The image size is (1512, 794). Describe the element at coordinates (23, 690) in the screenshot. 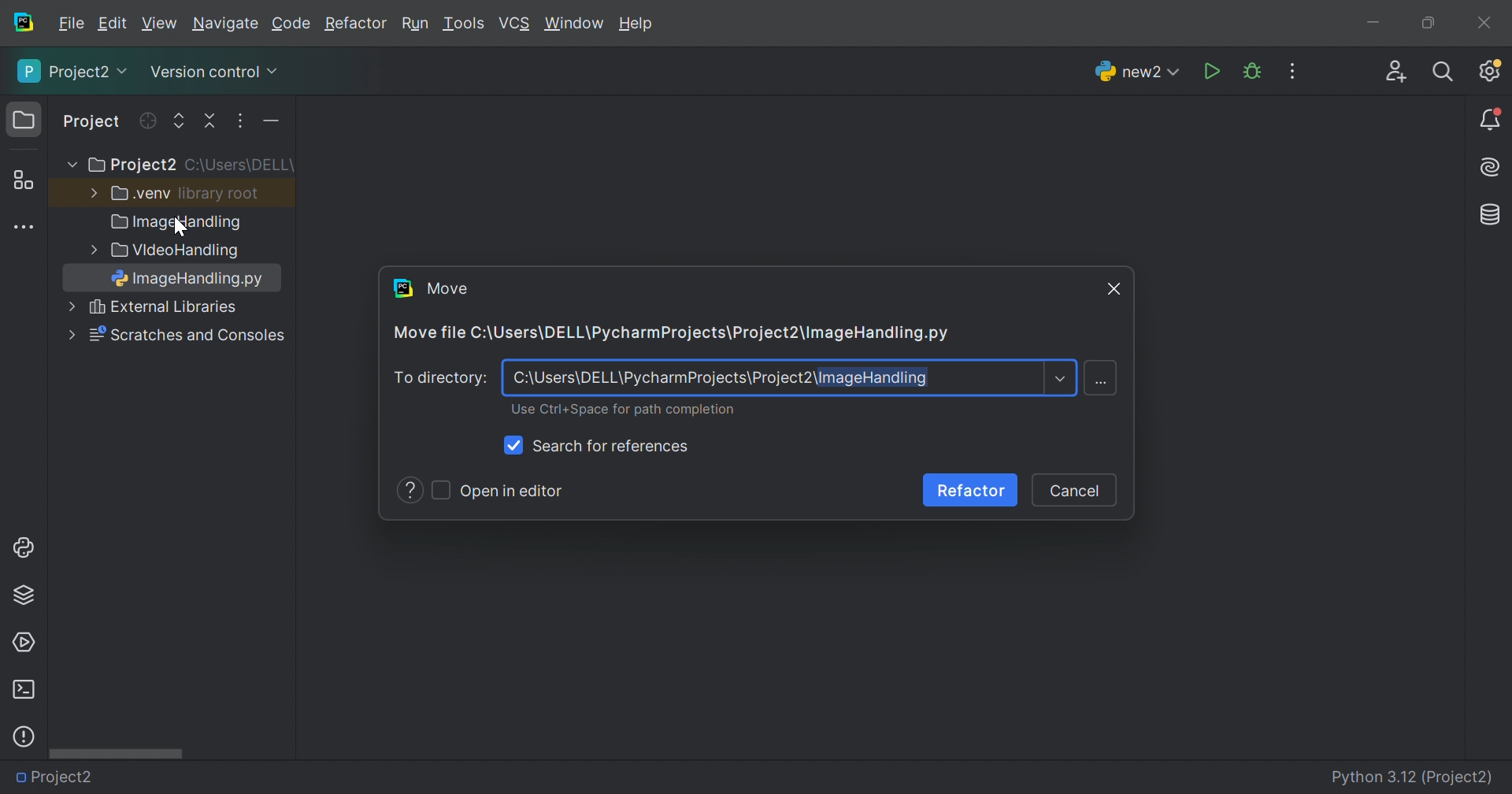

I see `Terminal` at that location.